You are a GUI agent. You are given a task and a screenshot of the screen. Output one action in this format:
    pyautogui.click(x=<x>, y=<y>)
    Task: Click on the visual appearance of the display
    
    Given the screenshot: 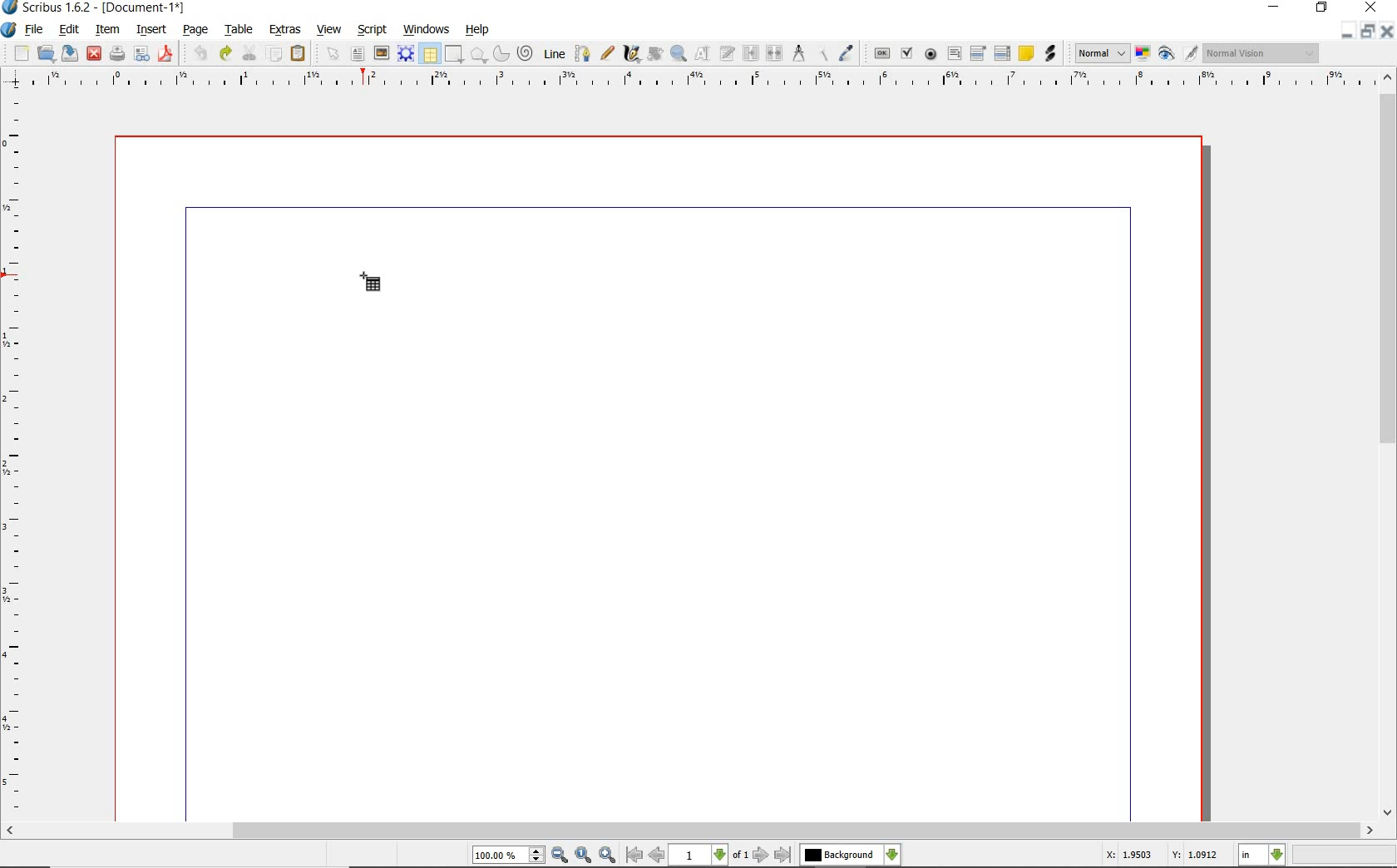 What is the action you would take?
    pyautogui.click(x=1259, y=53)
    